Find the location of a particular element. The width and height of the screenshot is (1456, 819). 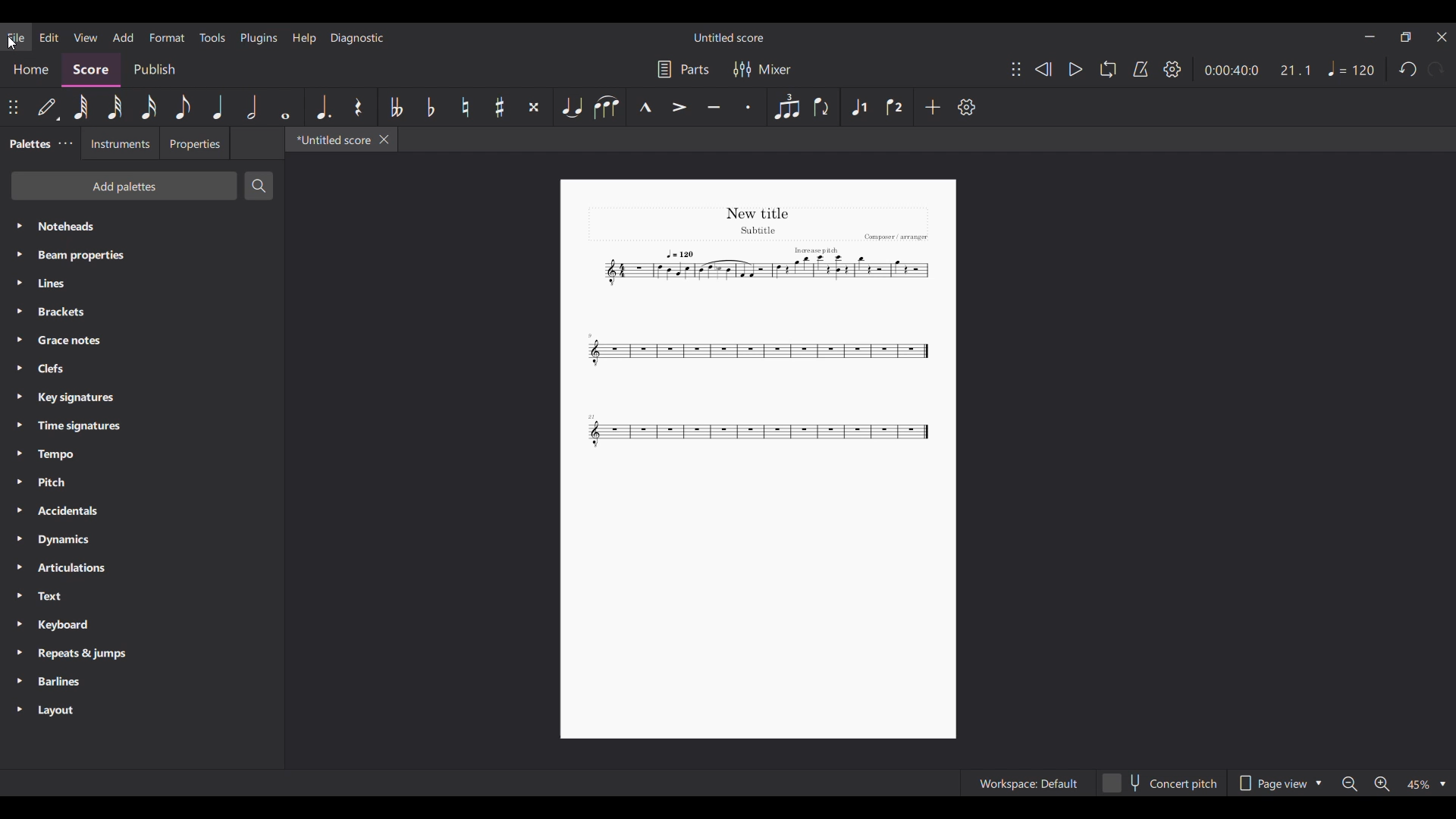

*Untitled score, current tab is located at coordinates (331, 140).